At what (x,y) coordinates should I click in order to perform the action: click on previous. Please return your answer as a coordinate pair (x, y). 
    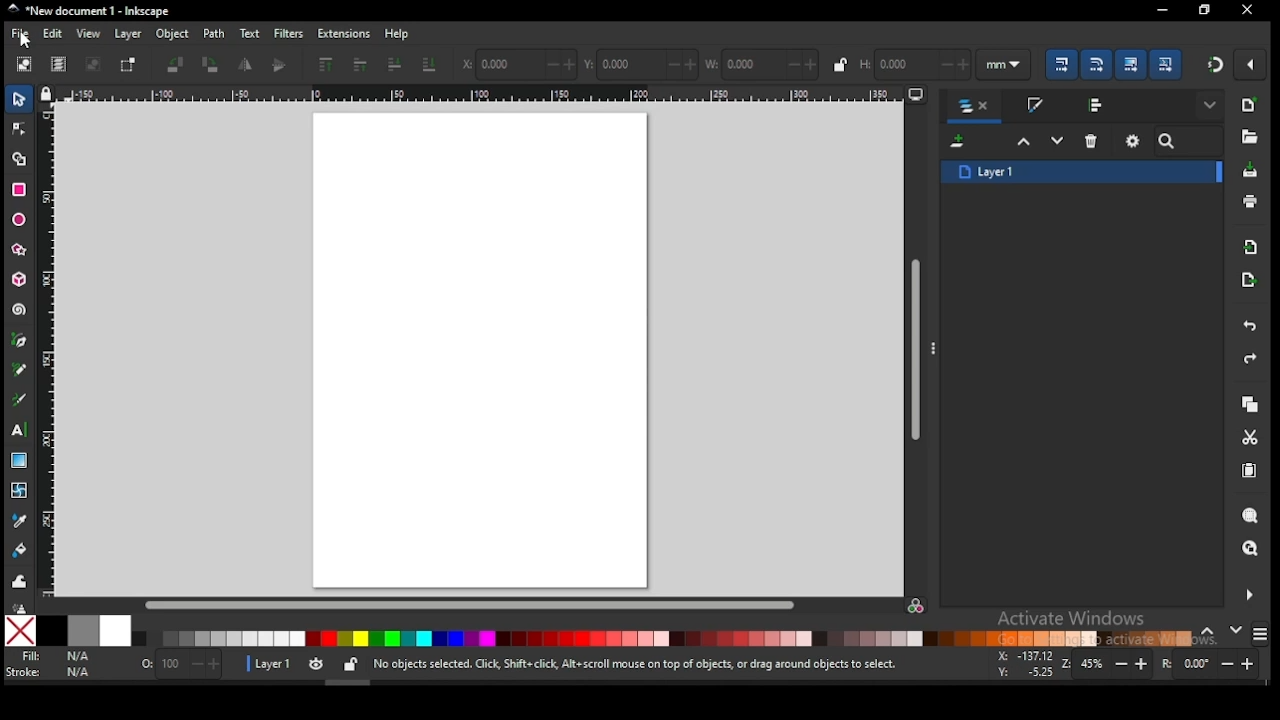
    Looking at the image, I should click on (1211, 632).